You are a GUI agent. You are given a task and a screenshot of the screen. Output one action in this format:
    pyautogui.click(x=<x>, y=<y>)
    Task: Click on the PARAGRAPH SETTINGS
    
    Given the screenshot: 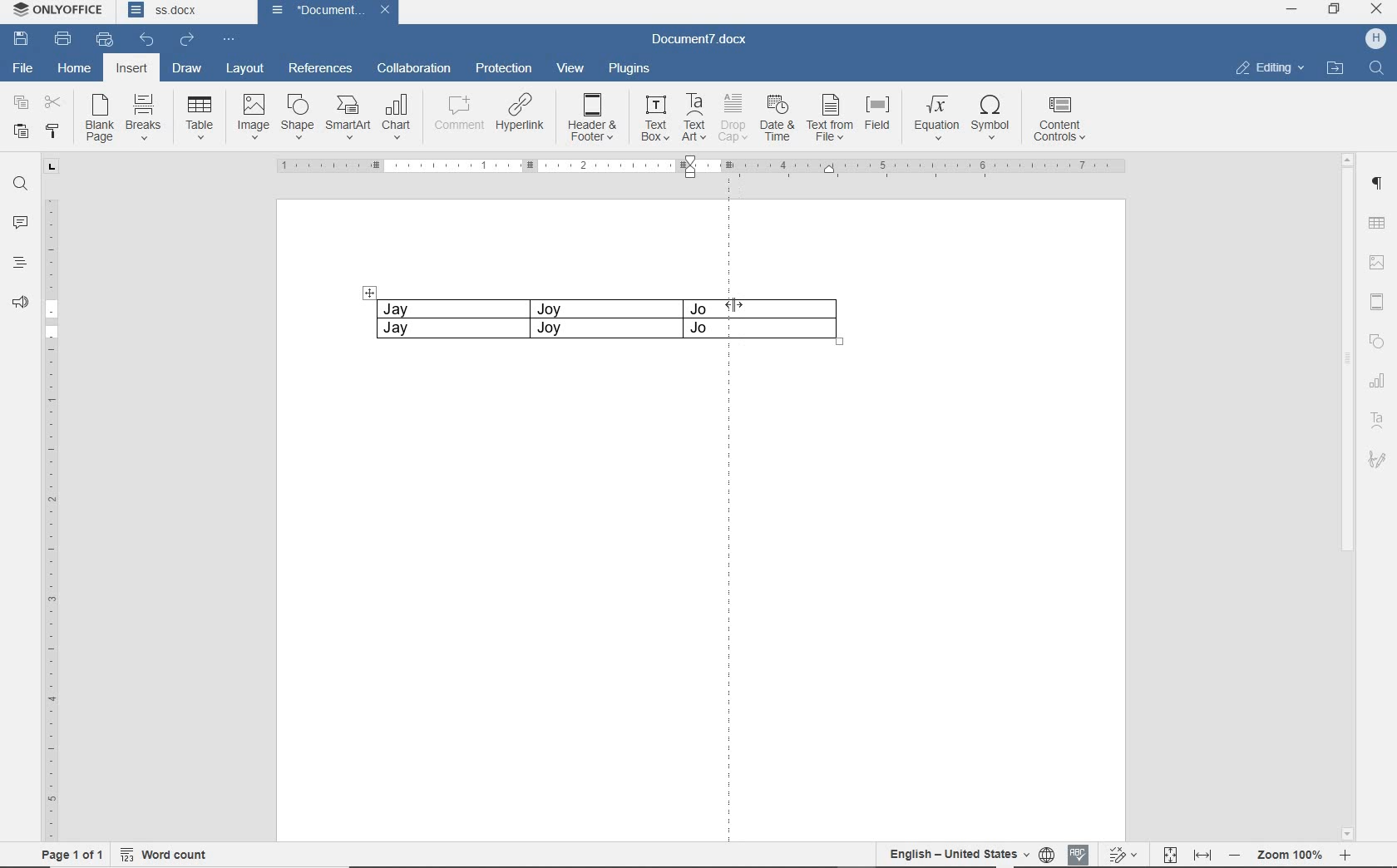 What is the action you would take?
    pyautogui.click(x=1378, y=184)
    